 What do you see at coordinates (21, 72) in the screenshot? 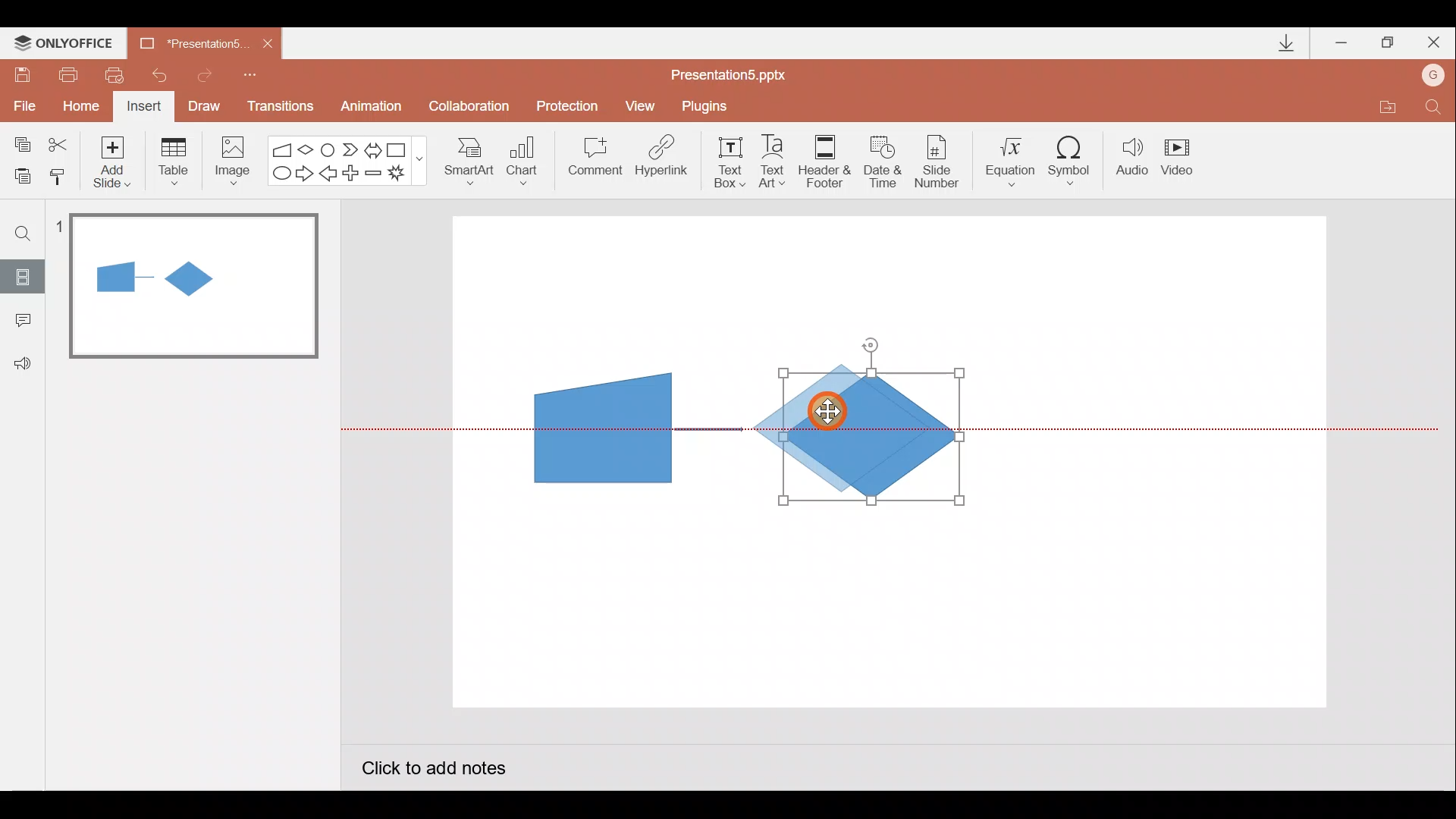
I see `Save` at bounding box center [21, 72].